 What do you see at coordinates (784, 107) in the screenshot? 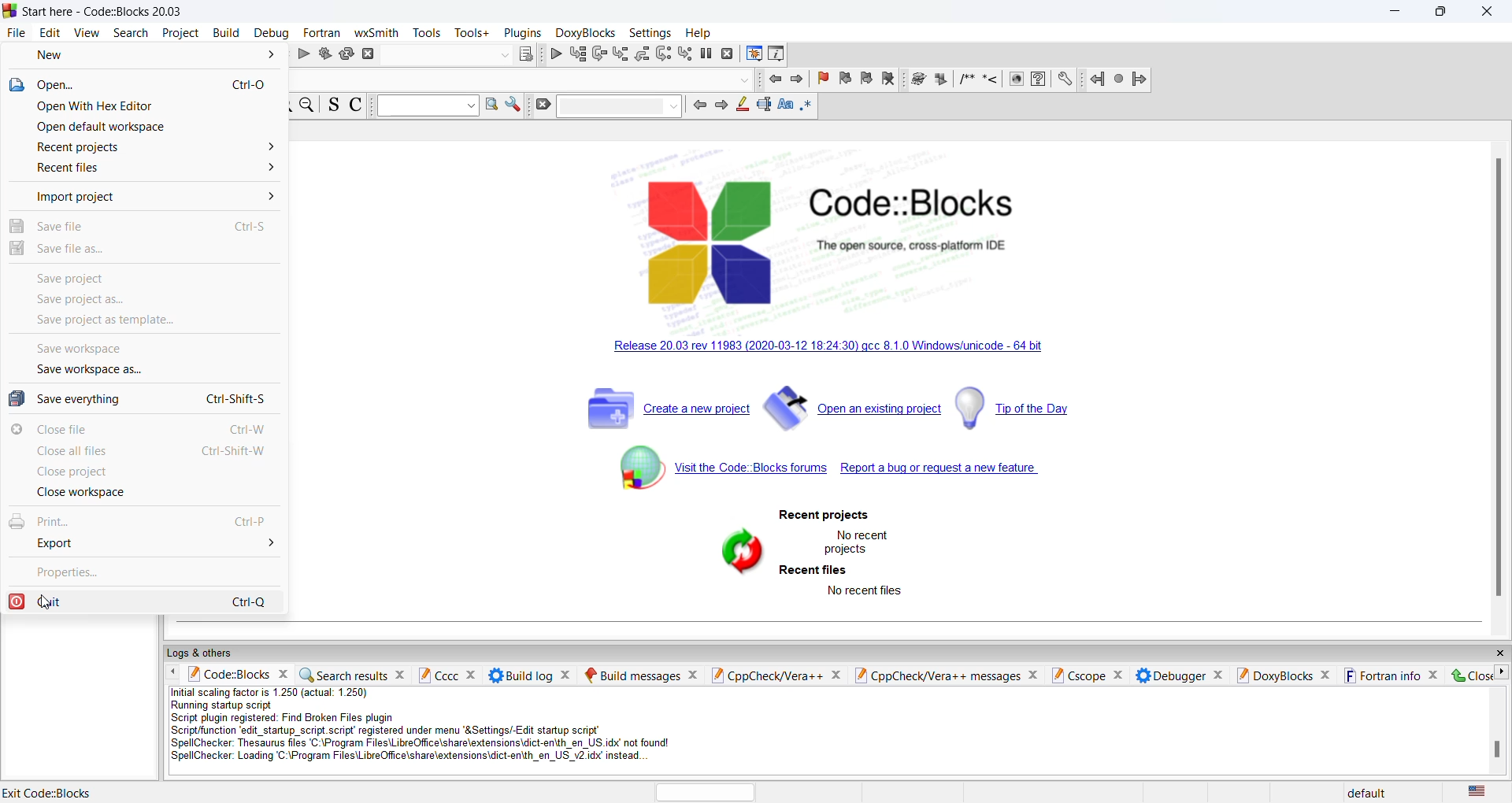
I see `match case` at bounding box center [784, 107].